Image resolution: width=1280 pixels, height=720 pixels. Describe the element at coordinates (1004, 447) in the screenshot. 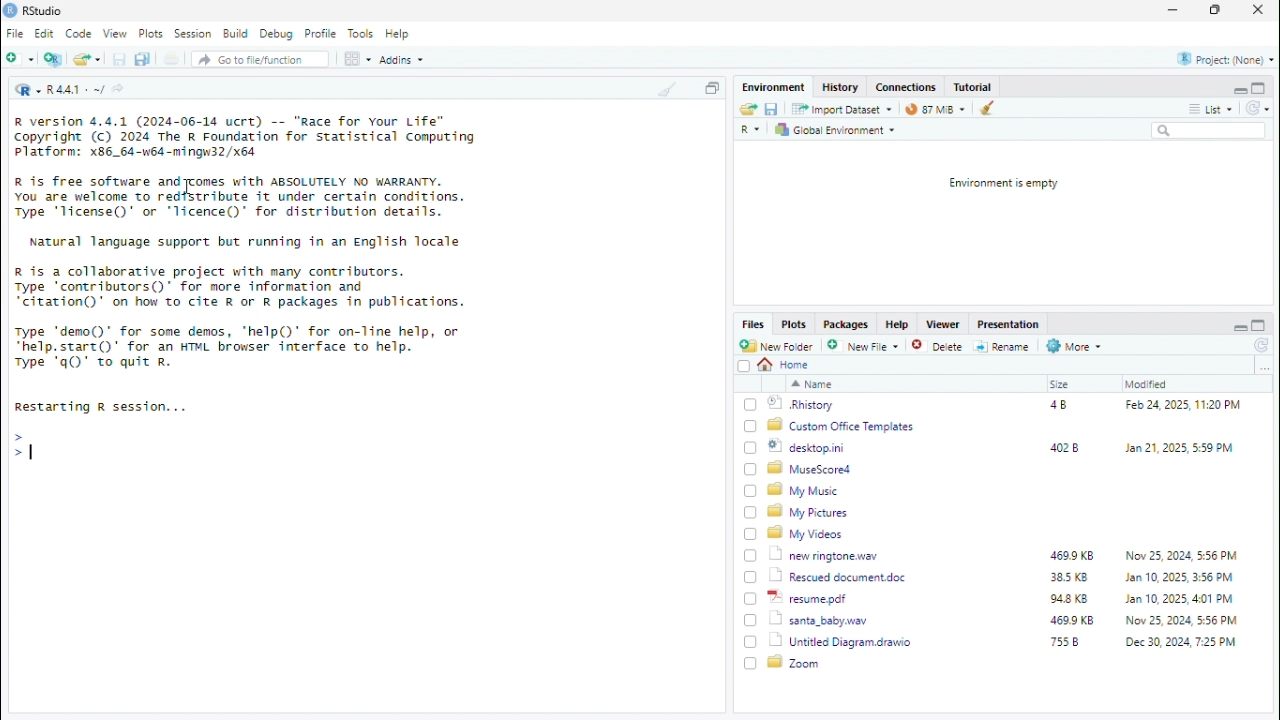

I see `desktop.ini 402B Jan 21, 2025, 5:59 PM` at that location.